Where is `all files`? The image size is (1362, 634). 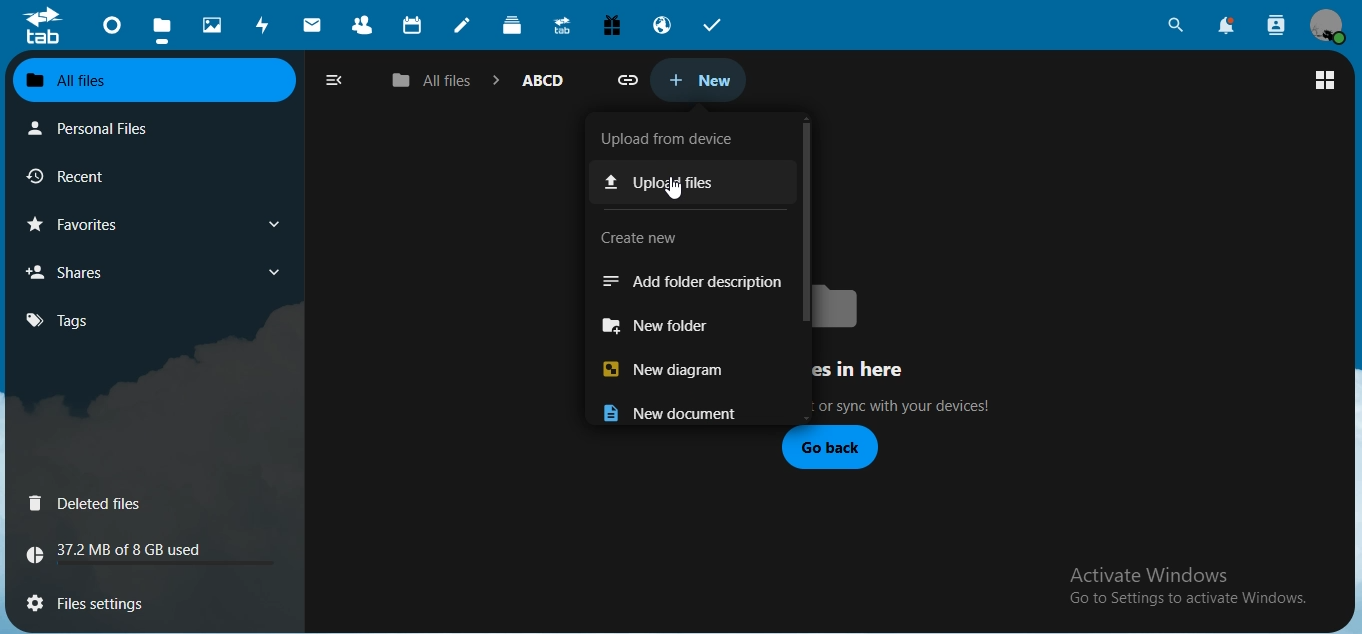 all files is located at coordinates (434, 82).